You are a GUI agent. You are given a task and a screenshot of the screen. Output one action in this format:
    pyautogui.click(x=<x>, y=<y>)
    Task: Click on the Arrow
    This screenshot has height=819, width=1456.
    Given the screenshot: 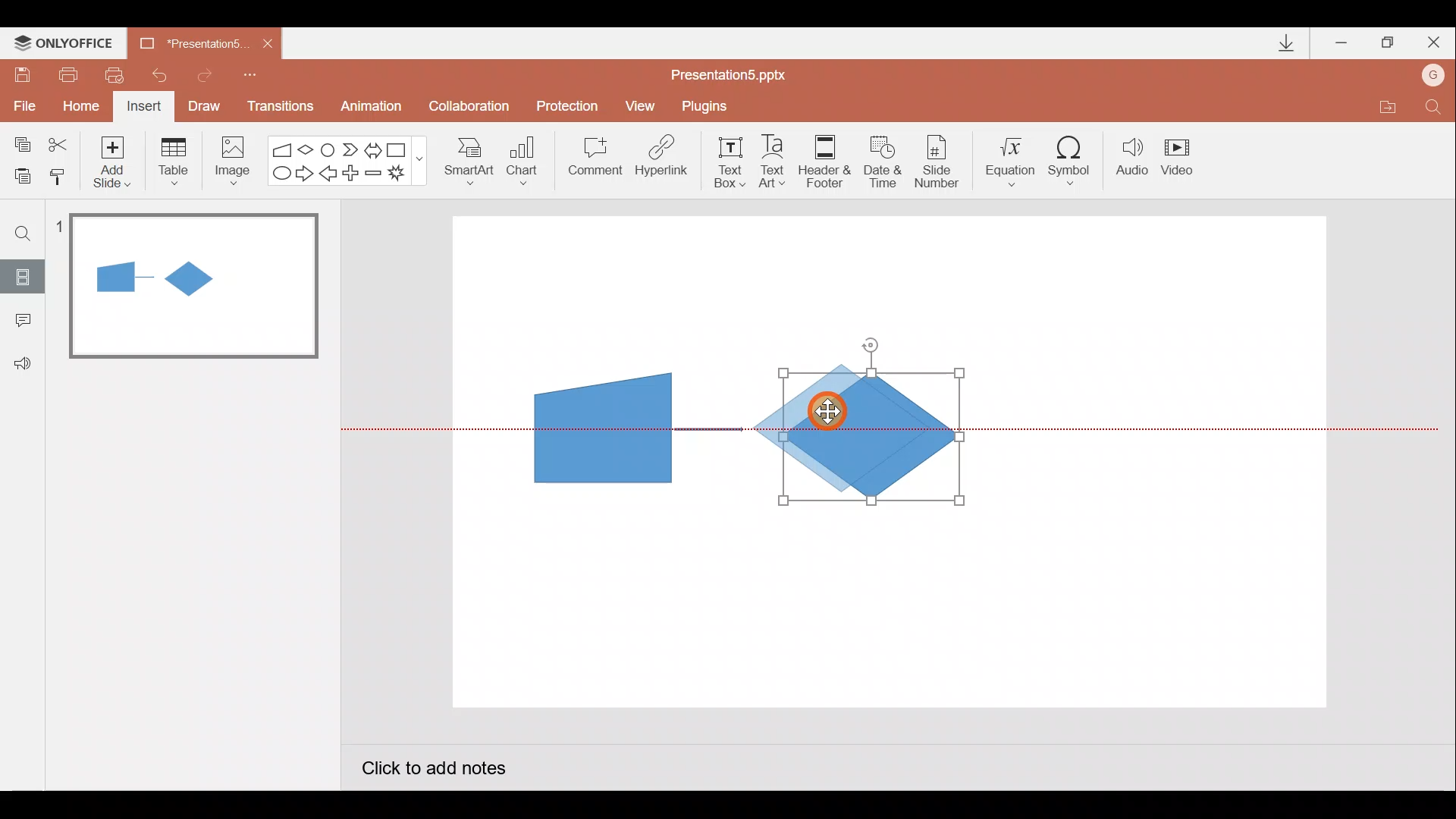 What is the action you would take?
    pyautogui.click(x=709, y=429)
    